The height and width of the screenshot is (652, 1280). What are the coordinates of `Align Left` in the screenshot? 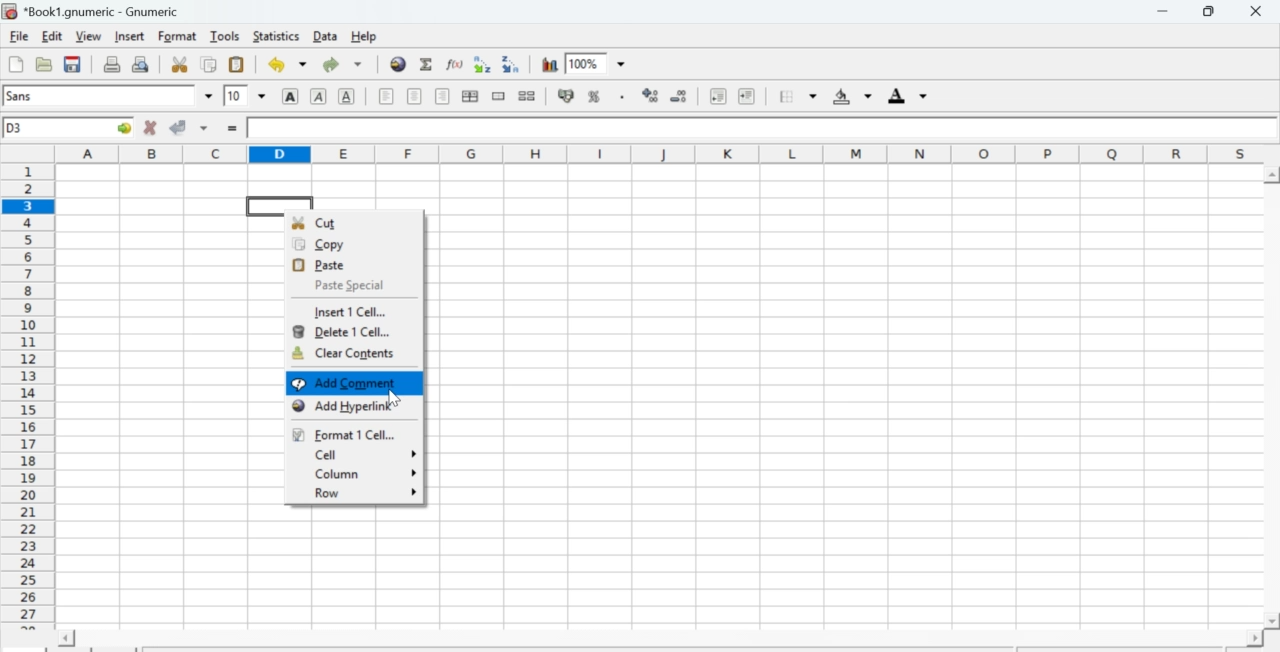 It's located at (384, 97).